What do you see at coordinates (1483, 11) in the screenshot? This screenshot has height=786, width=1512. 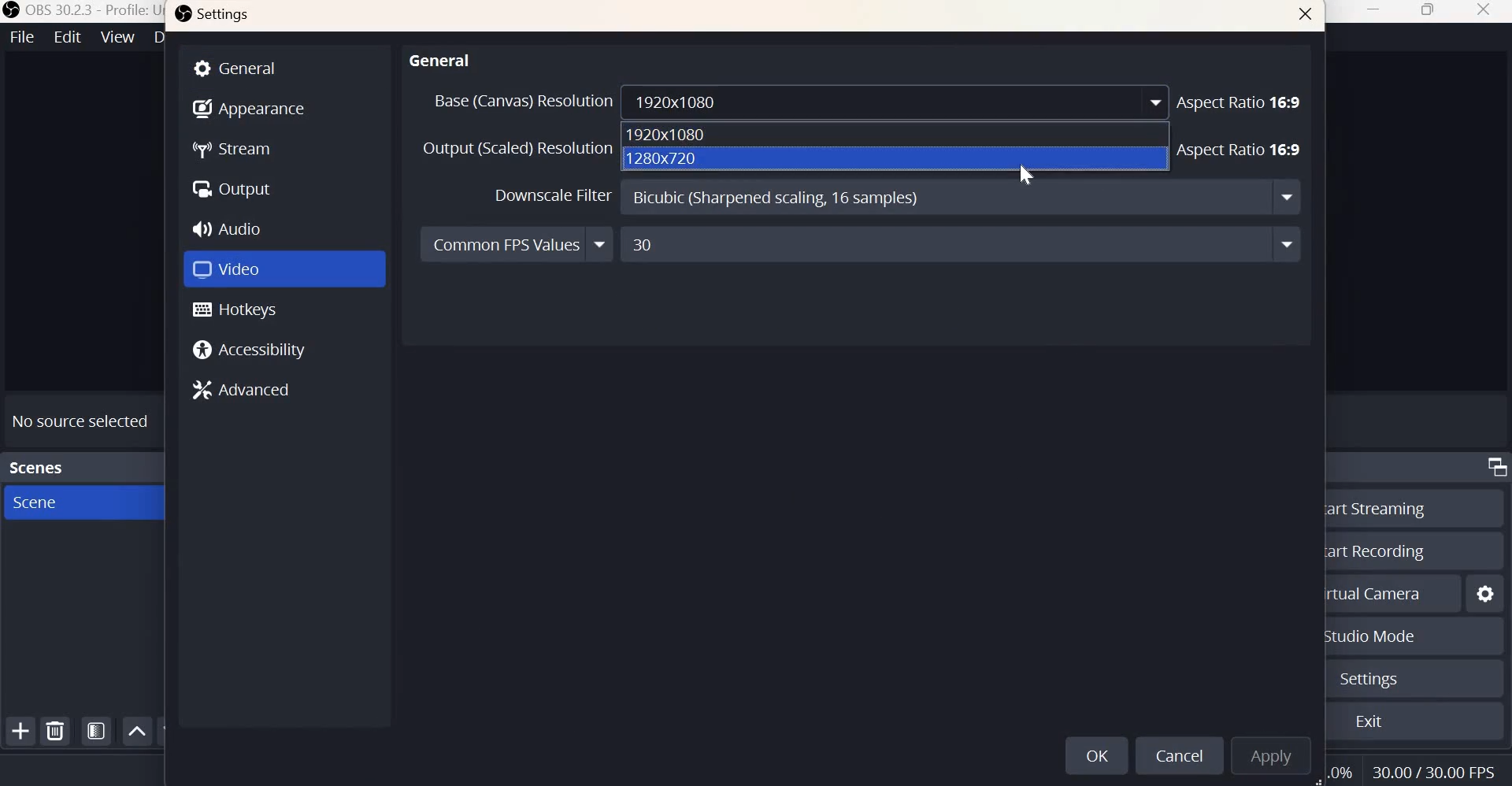 I see `close` at bounding box center [1483, 11].